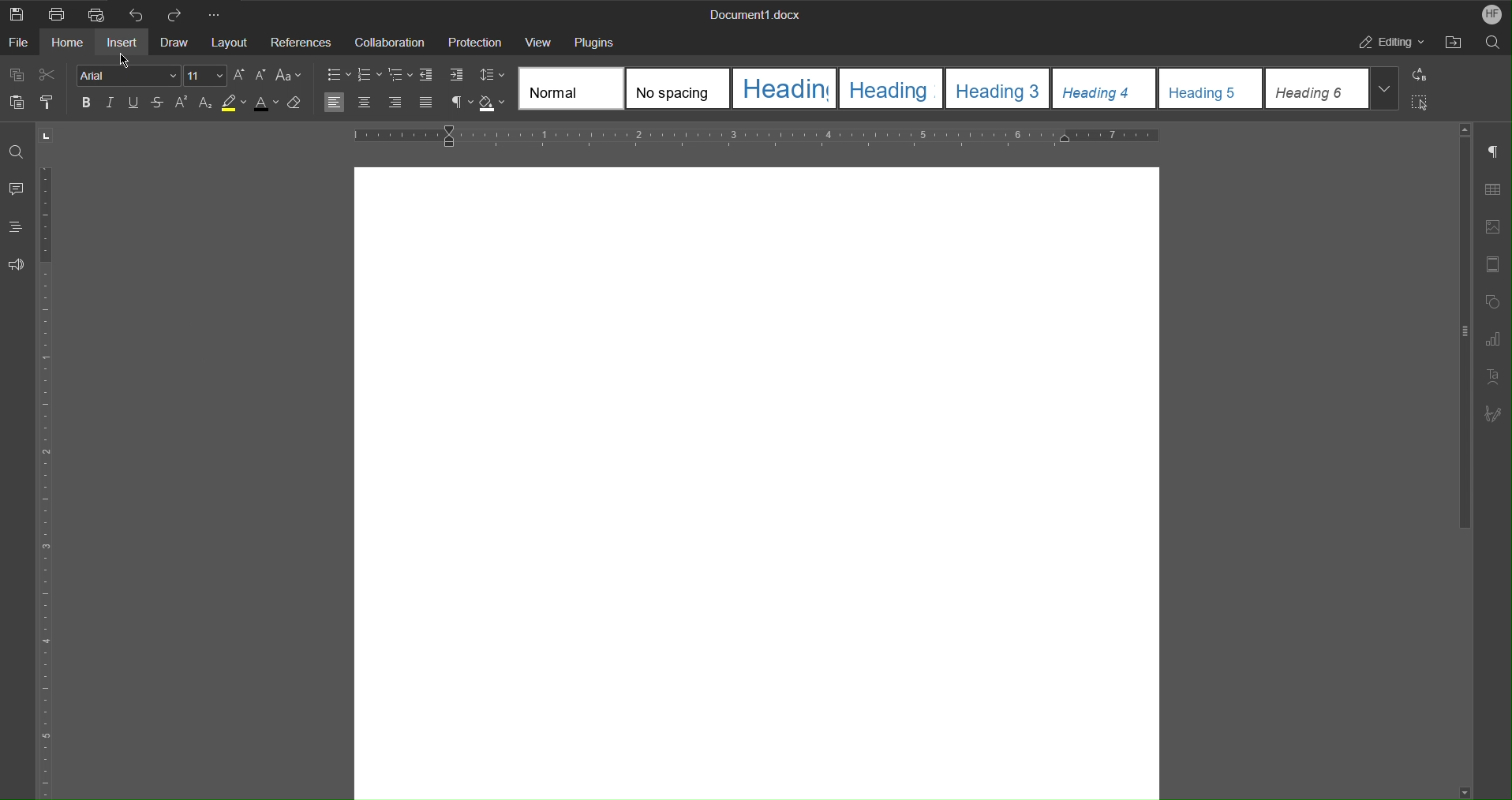 This screenshot has width=1512, height=800. What do you see at coordinates (397, 104) in the screenshot?
I see `Right Align` at bounding box center [397, 104].